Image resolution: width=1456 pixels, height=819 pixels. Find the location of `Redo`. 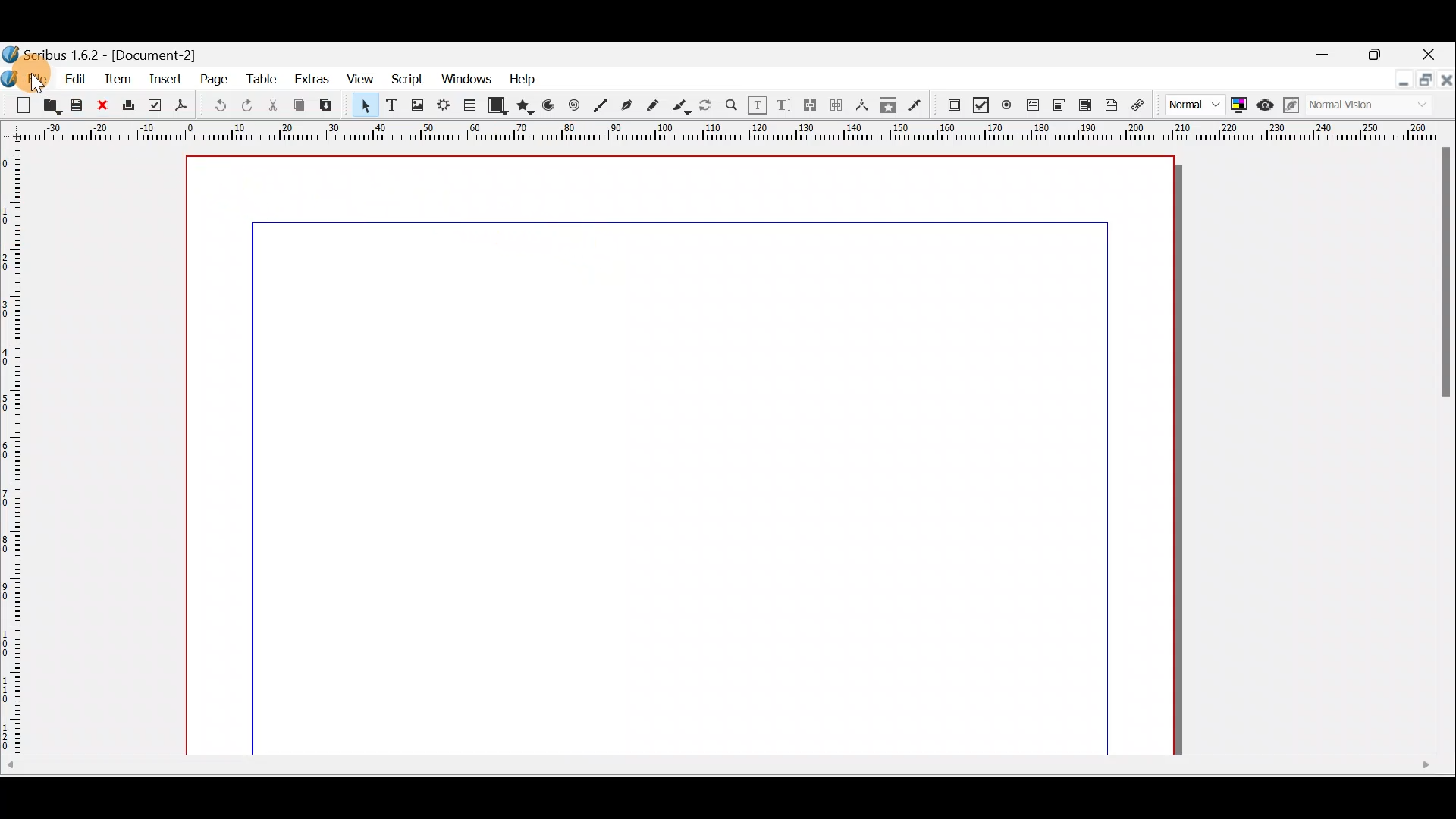

Redo is located at coordinates (243, 107).